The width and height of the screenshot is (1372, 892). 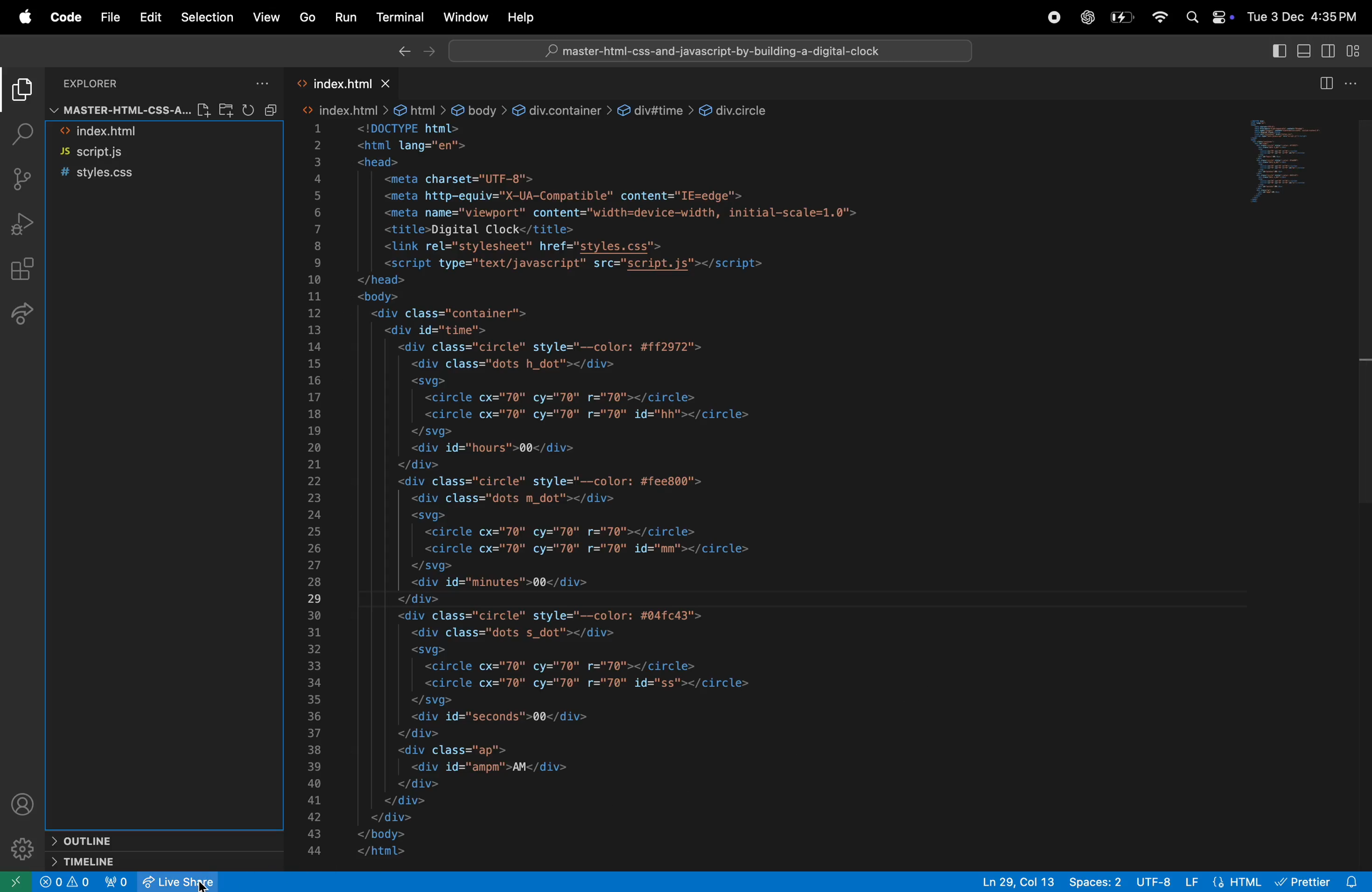 What do you see at coordinates (22, 134) in the screenshot?
I see `search` at bounding box center [22, 134].